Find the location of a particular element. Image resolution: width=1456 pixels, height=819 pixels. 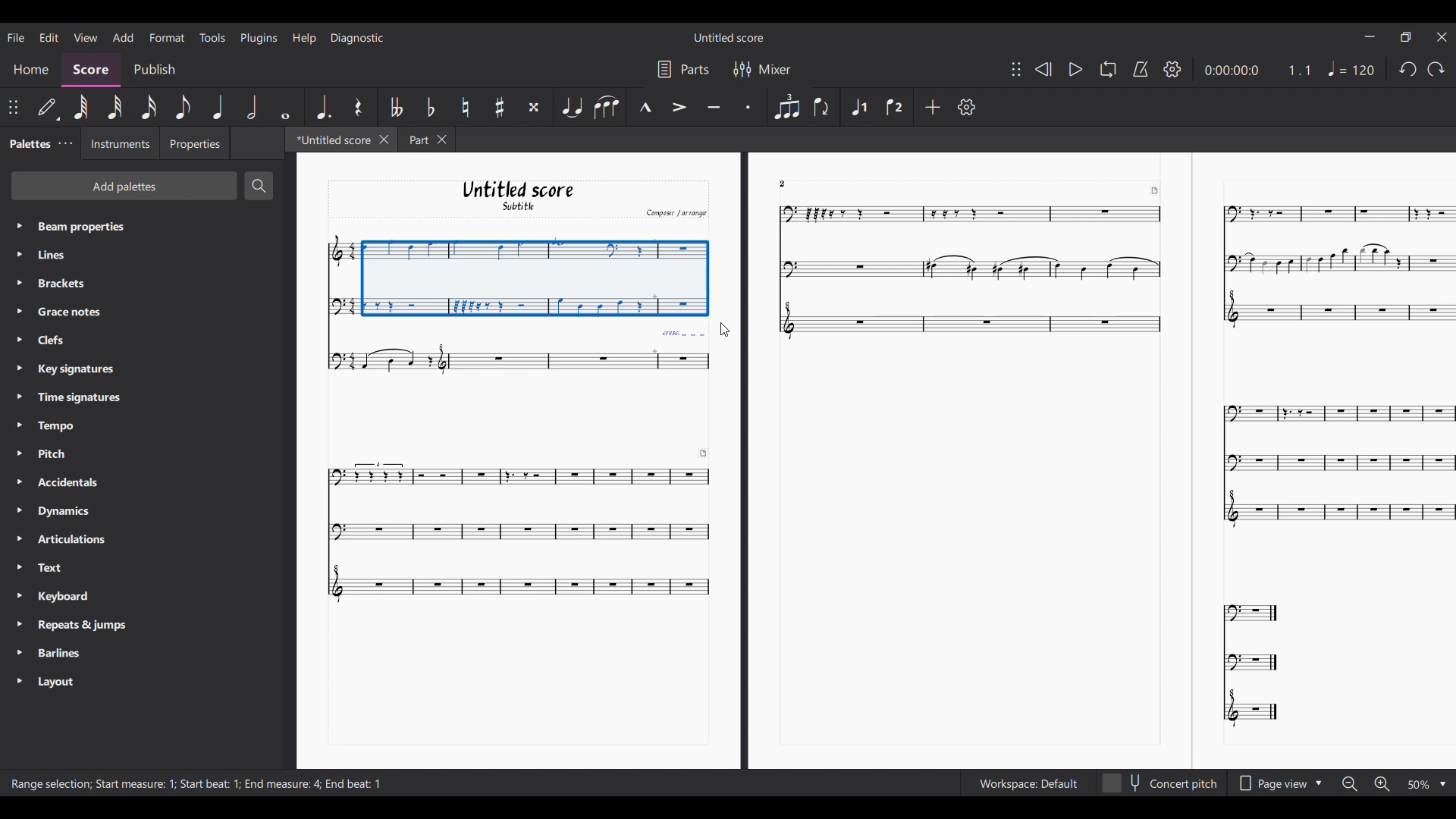

Change position is located at coordinates (13, 108).